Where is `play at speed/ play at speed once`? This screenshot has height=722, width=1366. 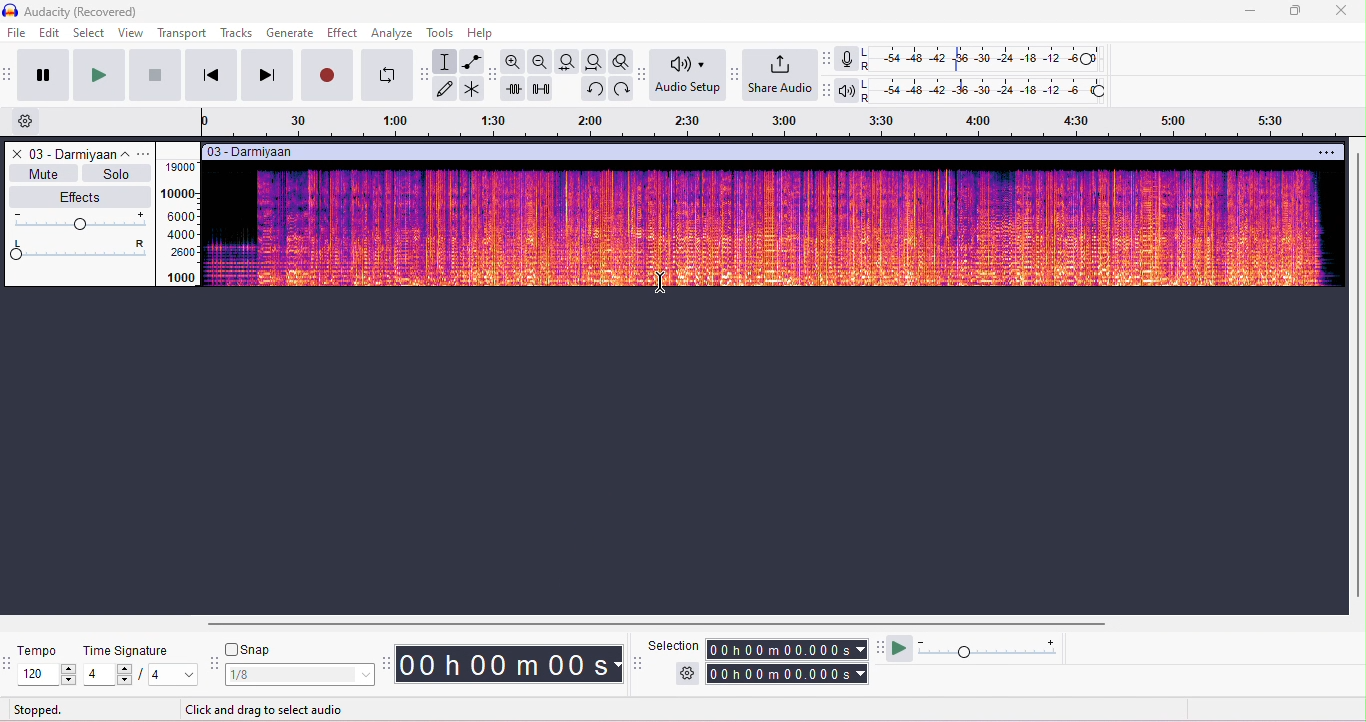 play at speed/ play at speed once is located at coordinates (902, 649).